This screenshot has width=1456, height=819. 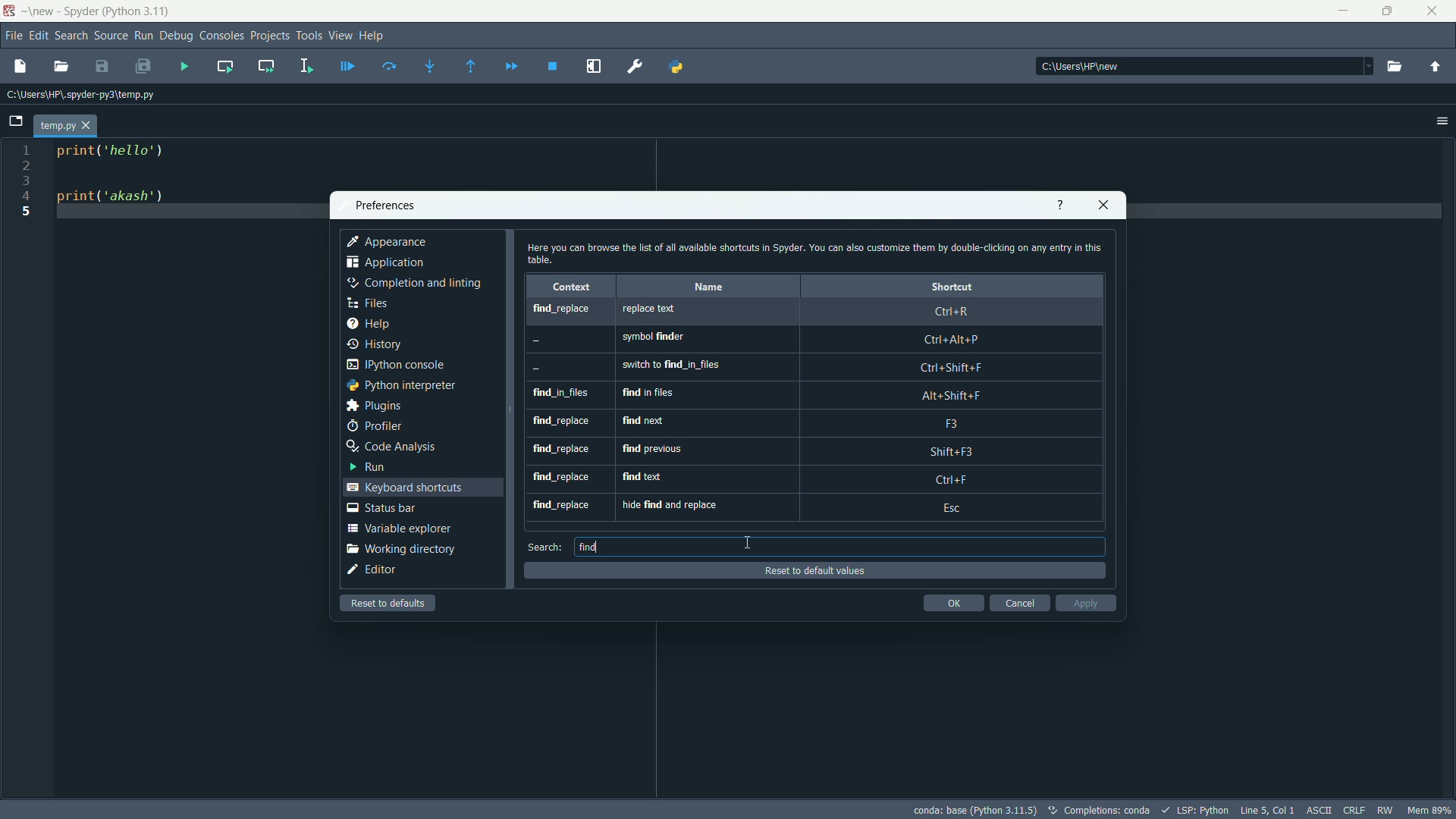 I want to click on print('print hello') , so click(x=121, y=158).